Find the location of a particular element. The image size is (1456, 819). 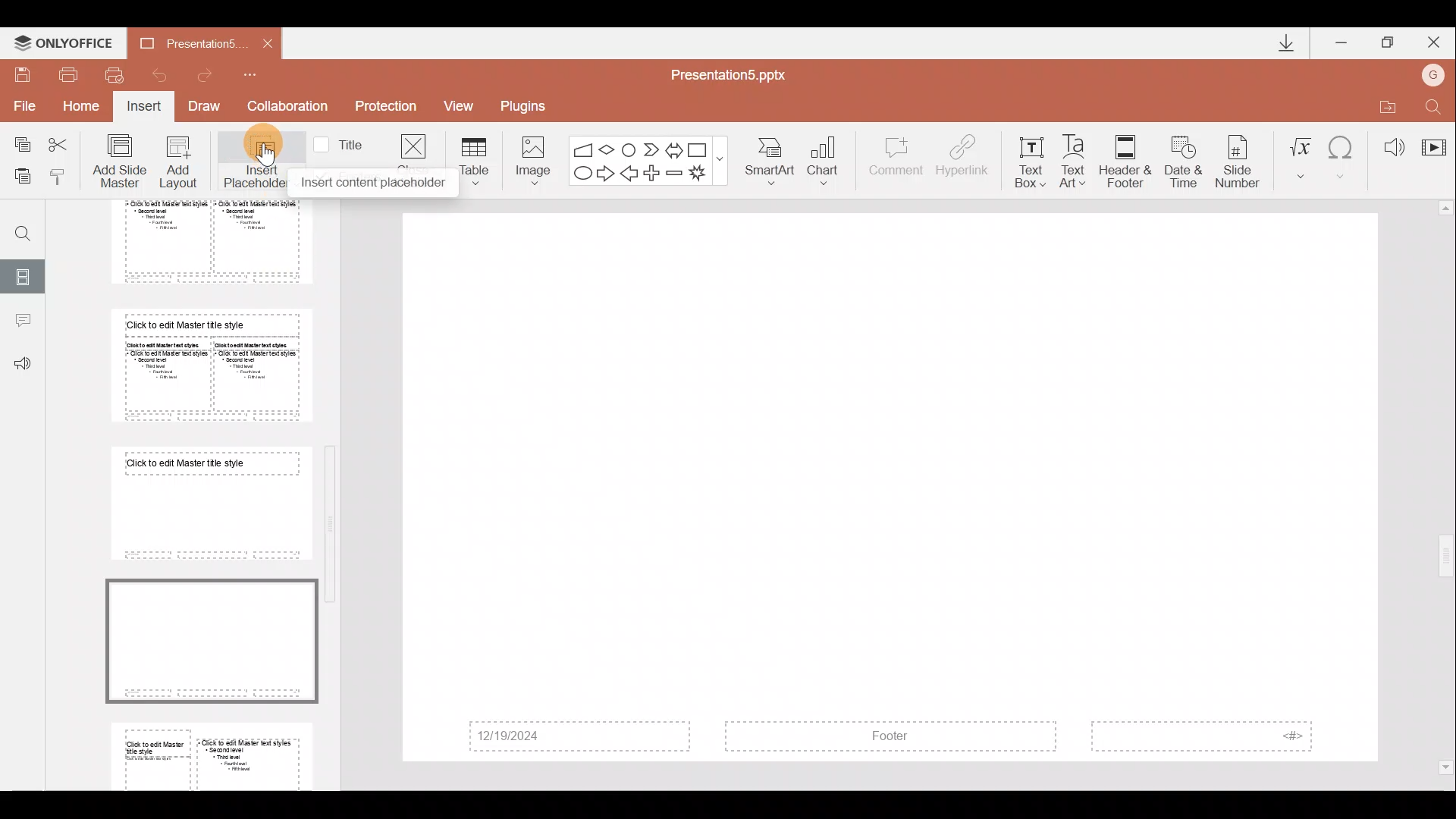

Collaboration is located at coordinates (287, 106).